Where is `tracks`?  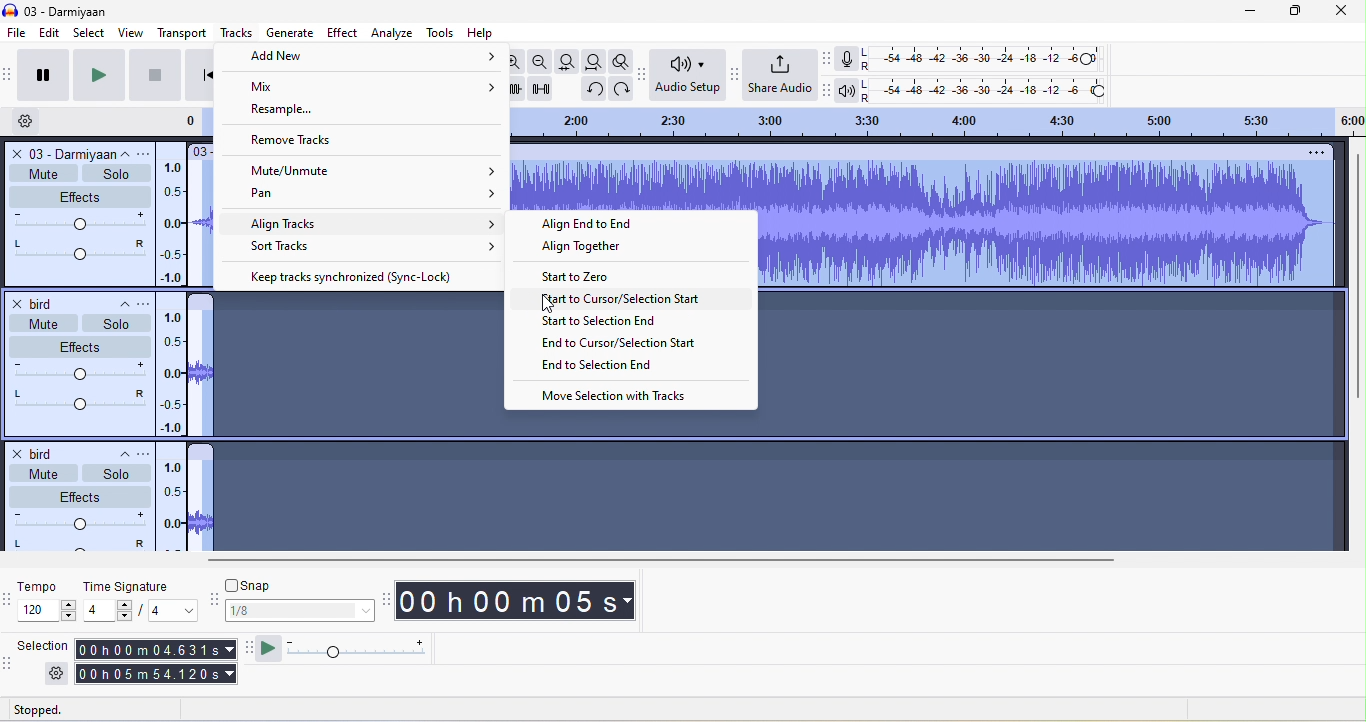 tracks is located at coordinates (234, 33).